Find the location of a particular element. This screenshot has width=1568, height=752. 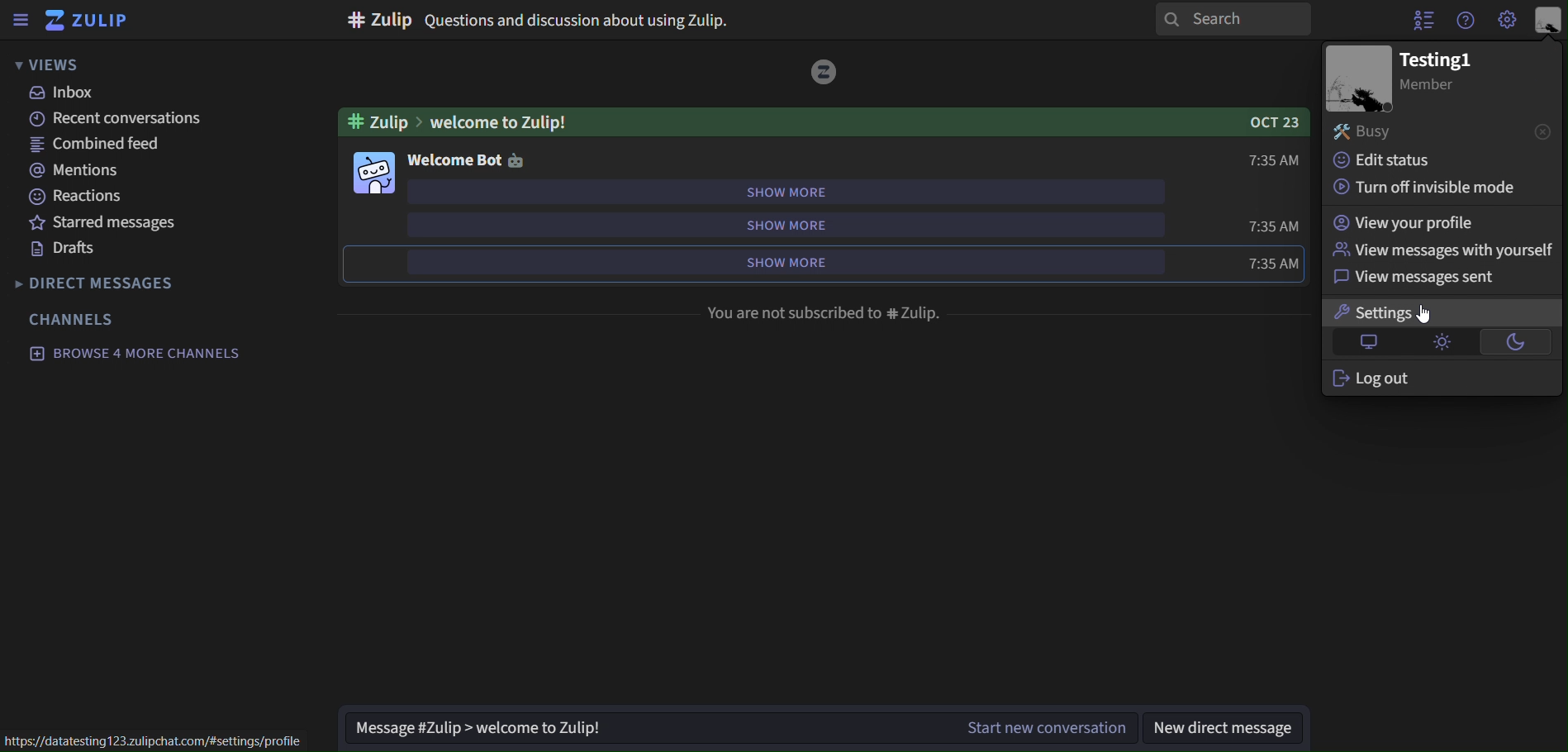

Member is located at coordinates (1444, 88).